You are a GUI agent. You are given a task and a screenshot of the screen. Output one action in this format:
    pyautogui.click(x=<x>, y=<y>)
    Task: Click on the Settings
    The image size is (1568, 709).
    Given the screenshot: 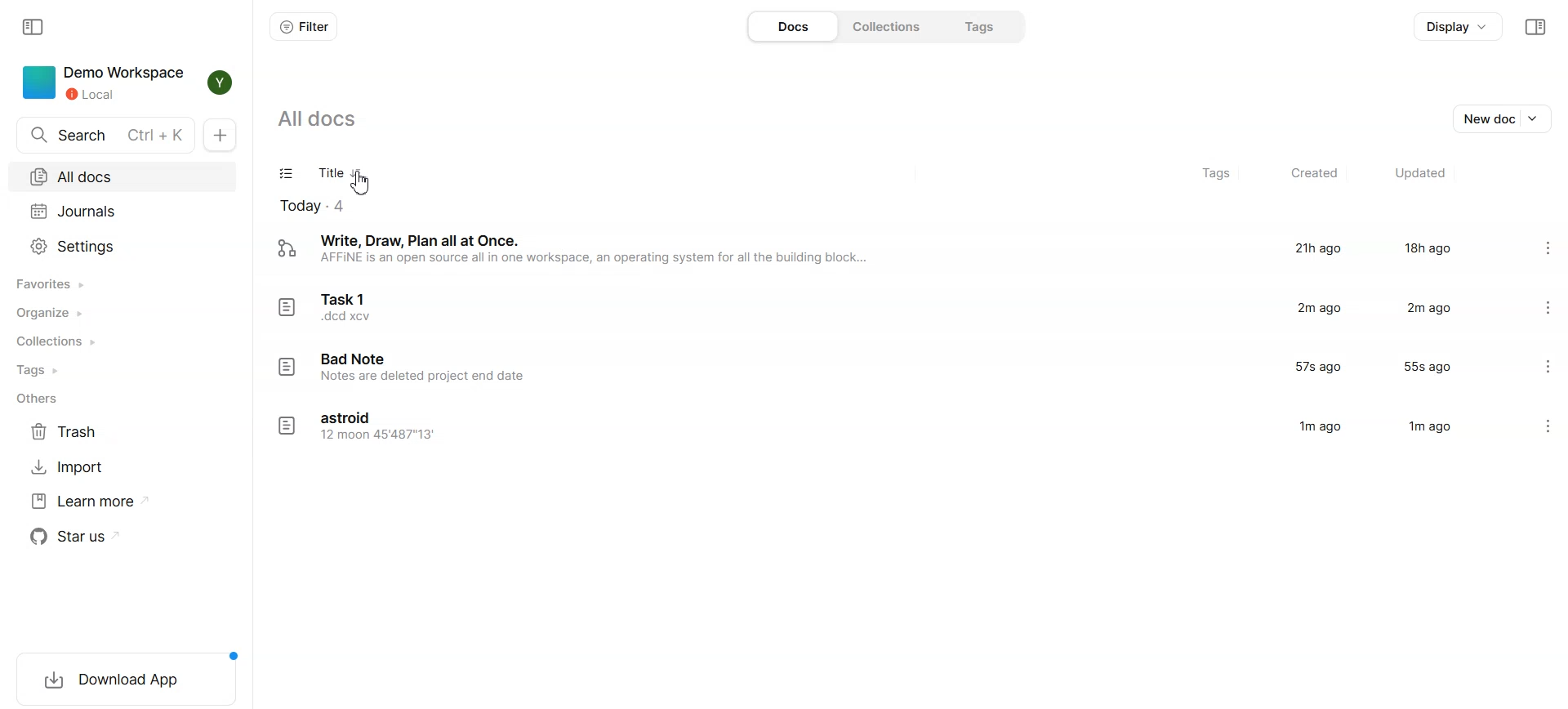 What is the action you would take?
    pyautogui.click(x=122, y=247)
    